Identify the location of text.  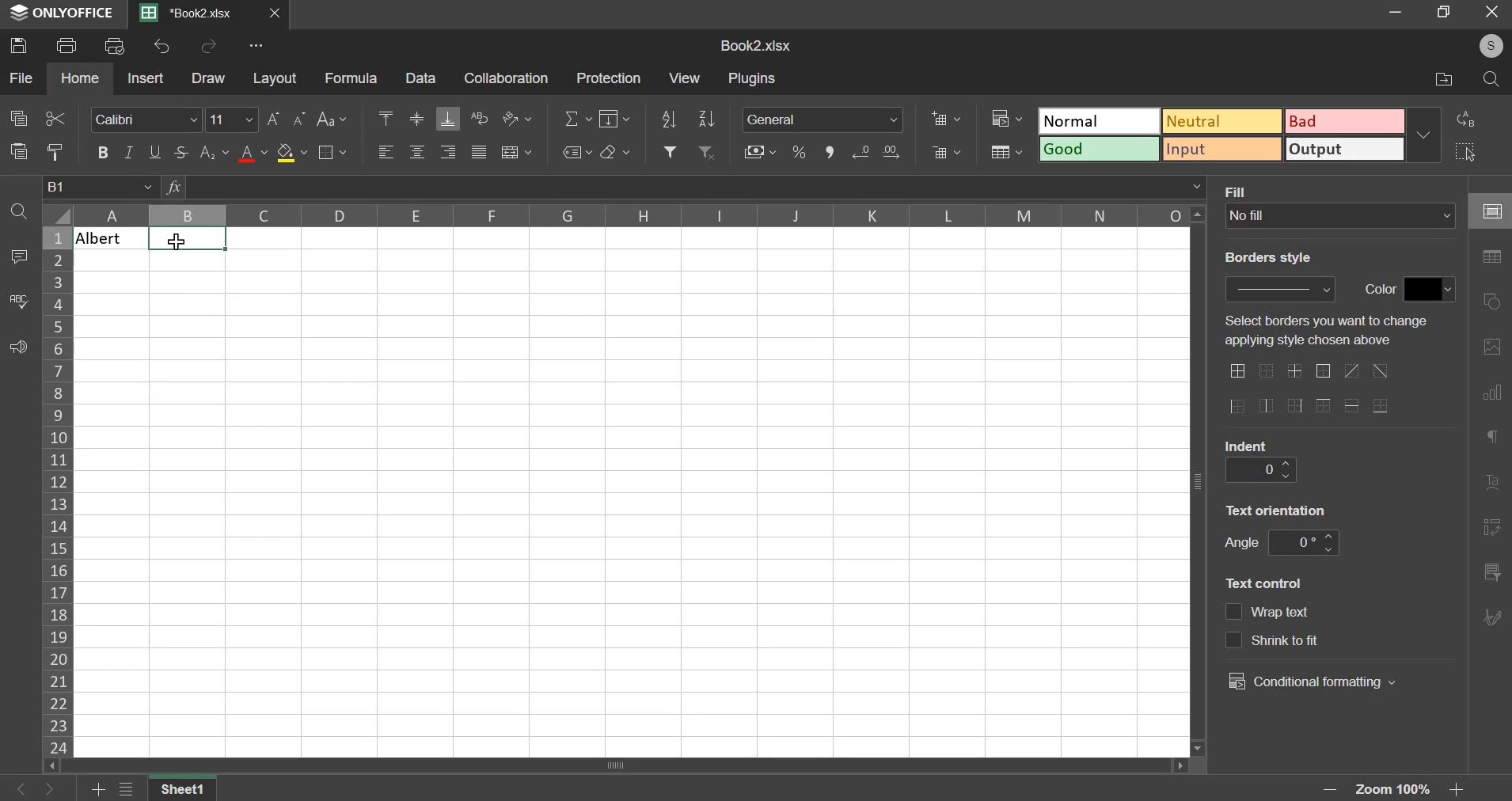
(1272, 638).